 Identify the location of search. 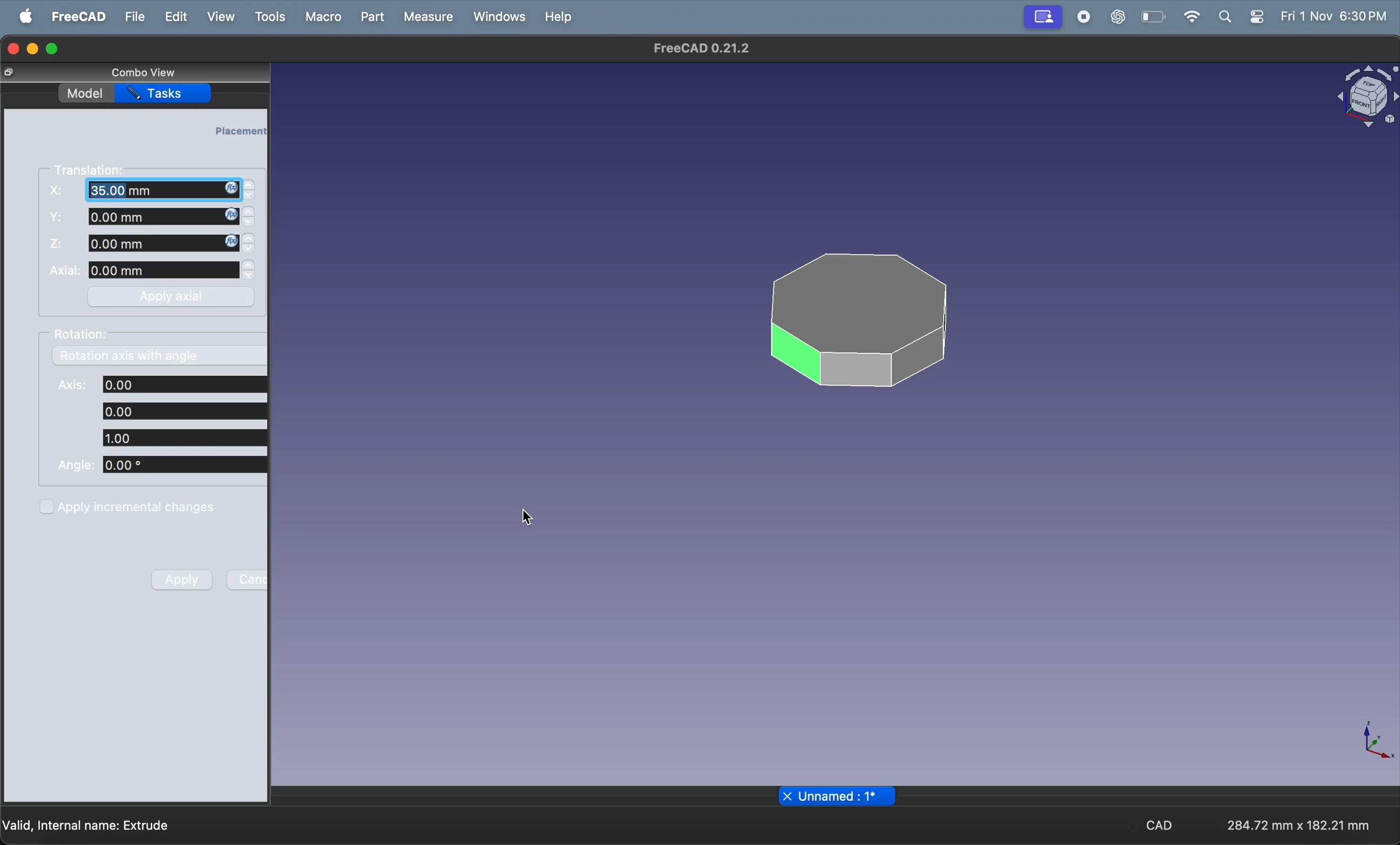
(1226, 16).